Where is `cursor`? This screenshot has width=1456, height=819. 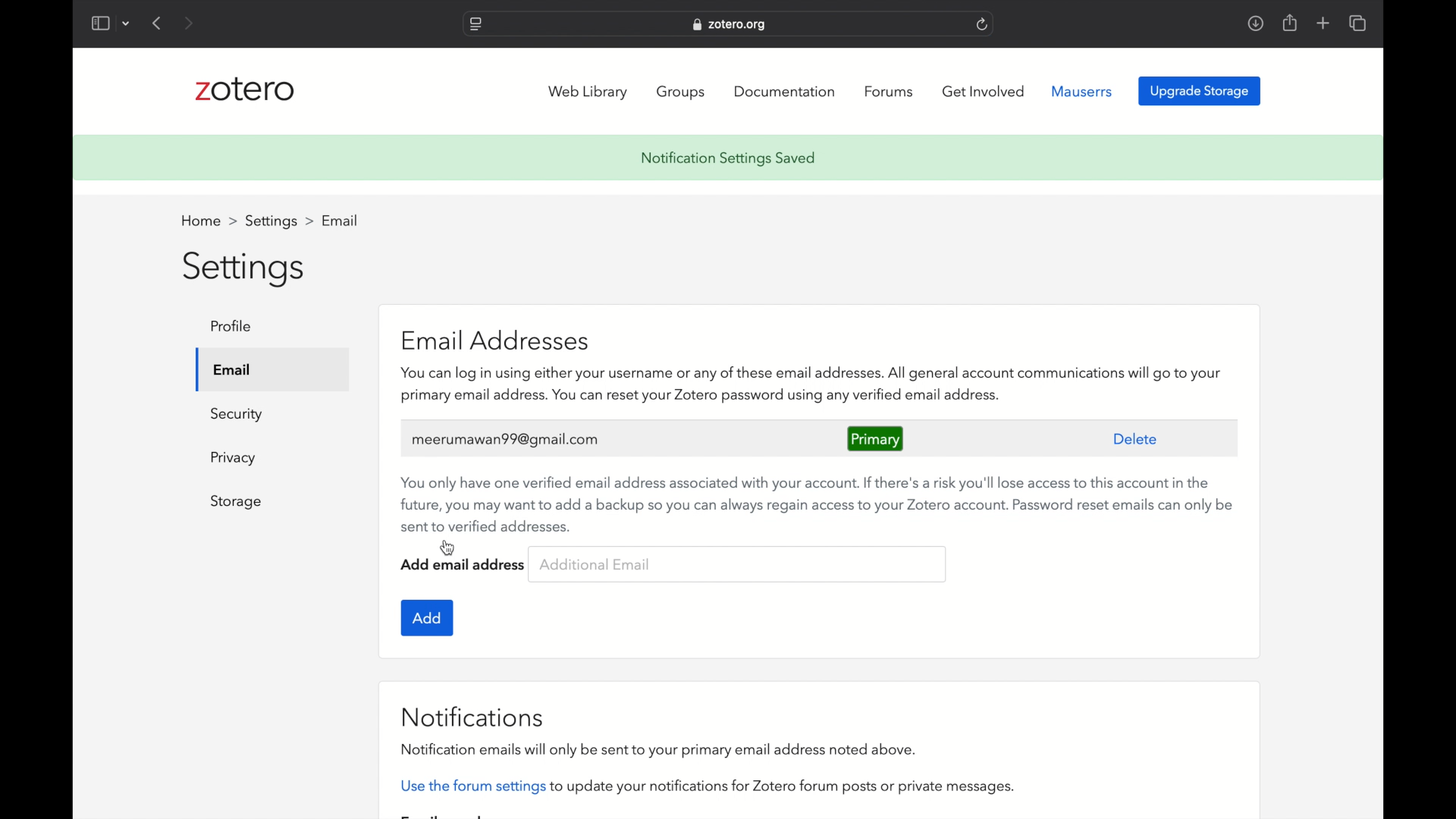
cursor is located at coordinates (447, 547).